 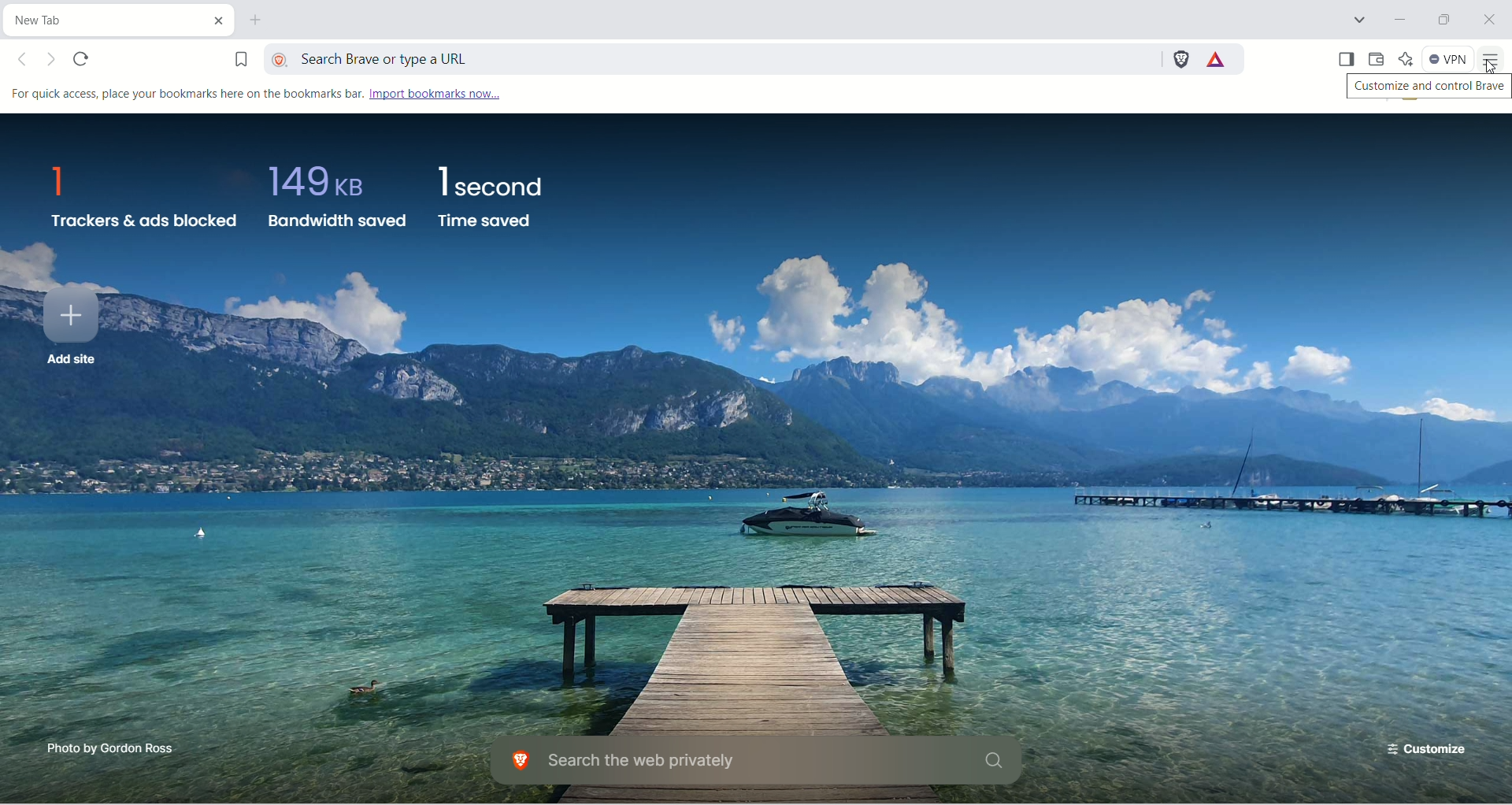 I want to click on more, so click(x=1495, y=58).